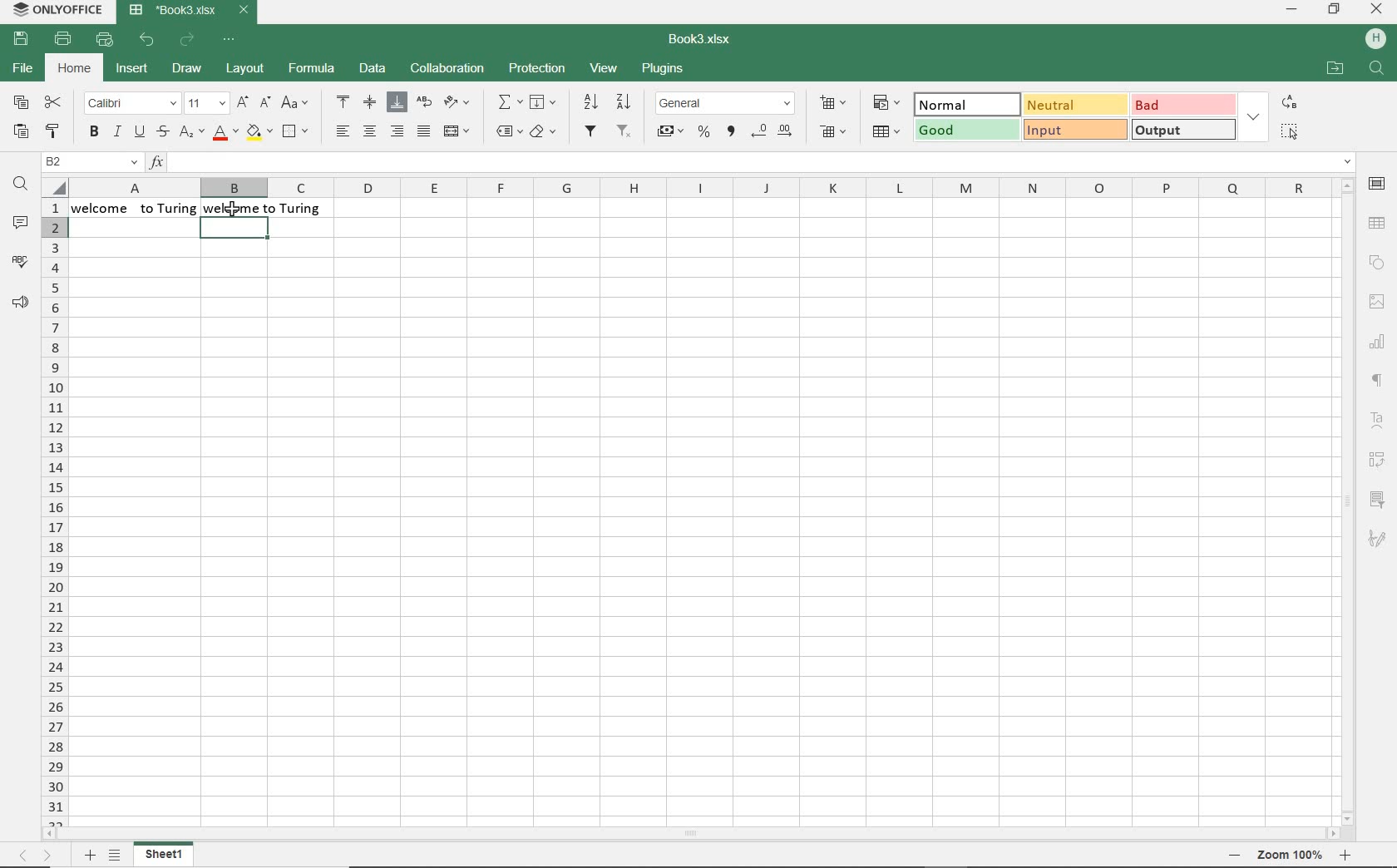  Describe the element at coordinates (457, 132) in the screenshot. I see `merge and center` at that location.